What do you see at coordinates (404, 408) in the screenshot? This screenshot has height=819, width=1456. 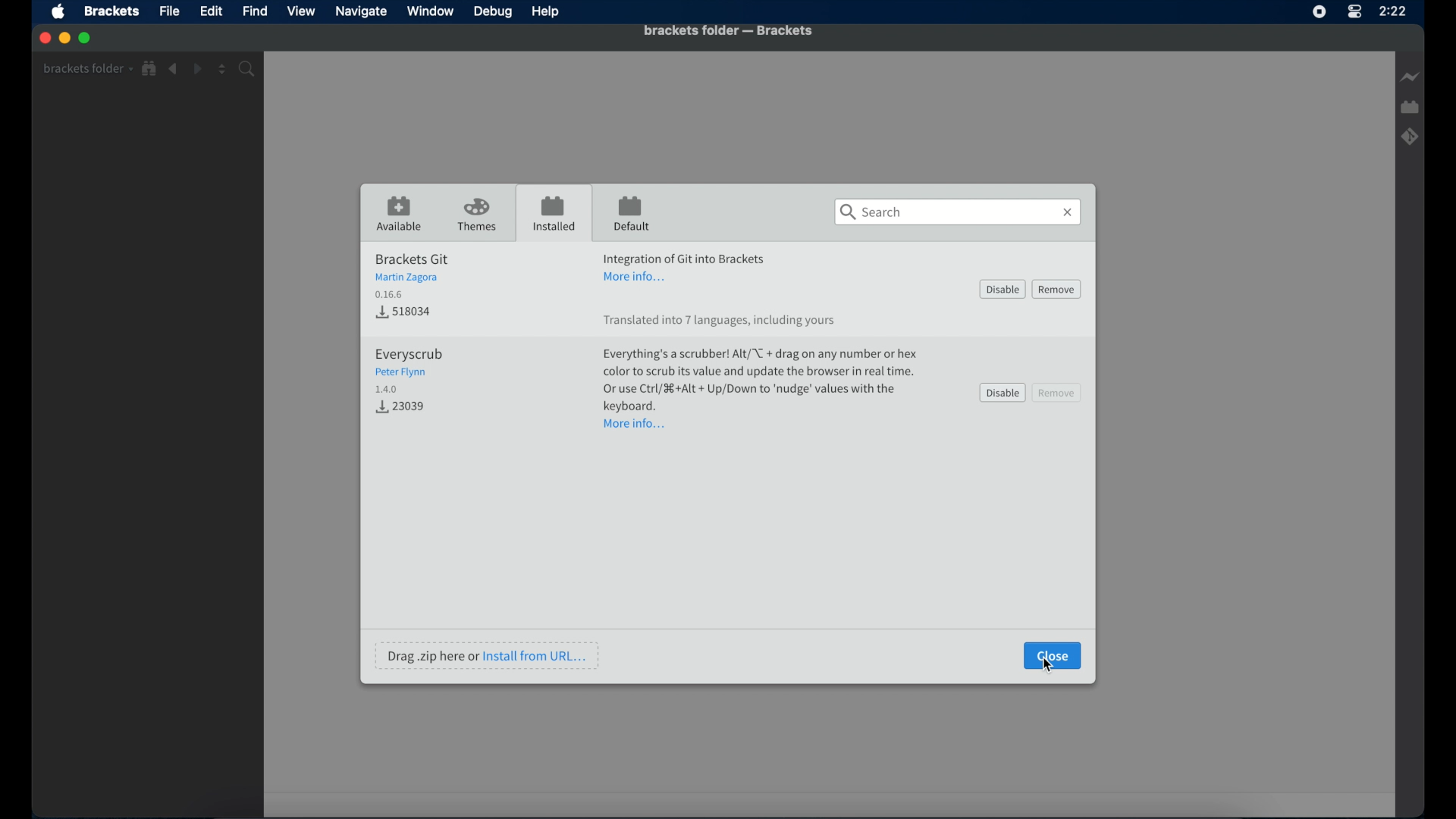 I see `` at bounding box center [404, 408].